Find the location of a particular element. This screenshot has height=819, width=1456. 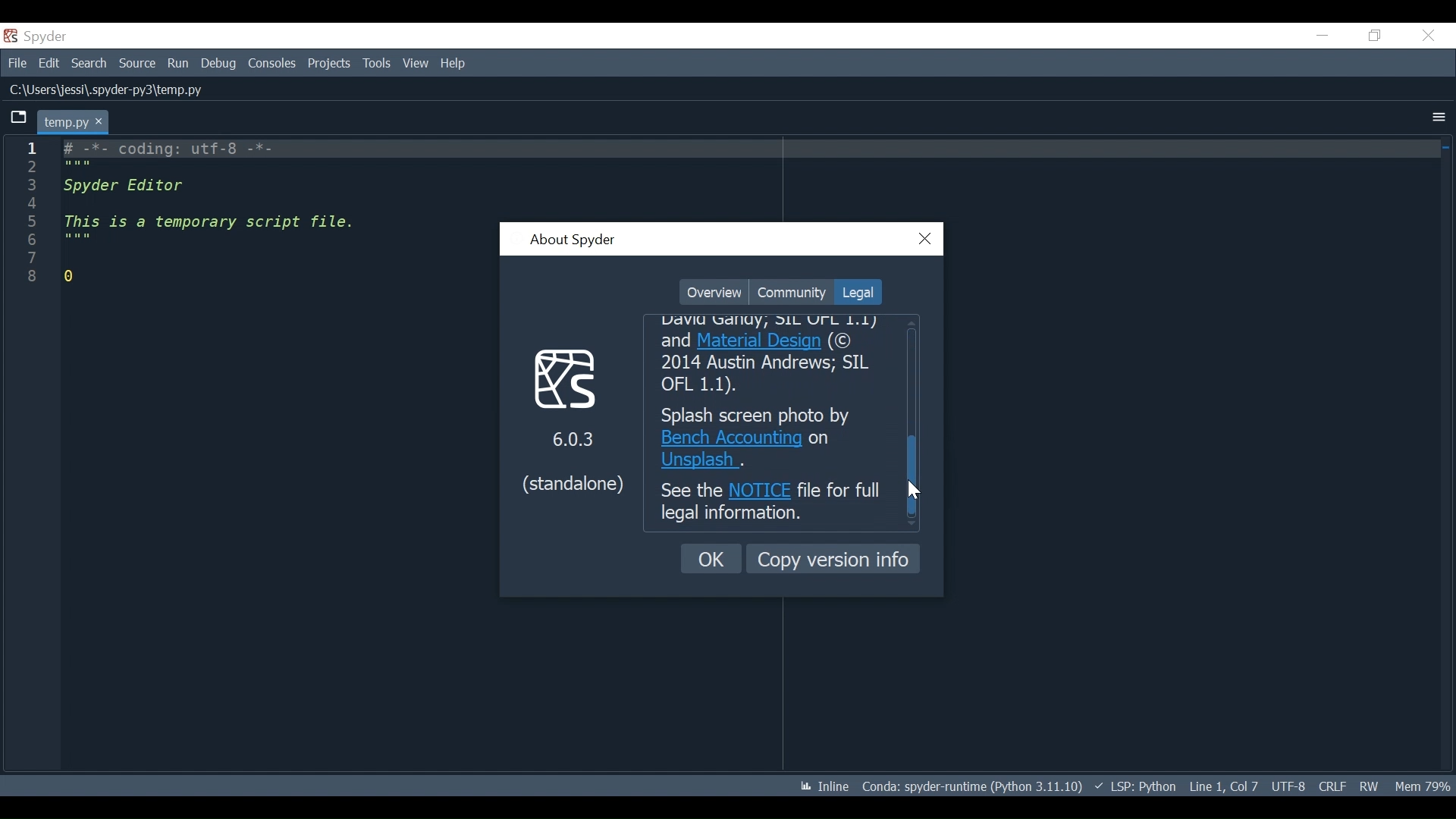

RW is located at coordinates (1368, 786).